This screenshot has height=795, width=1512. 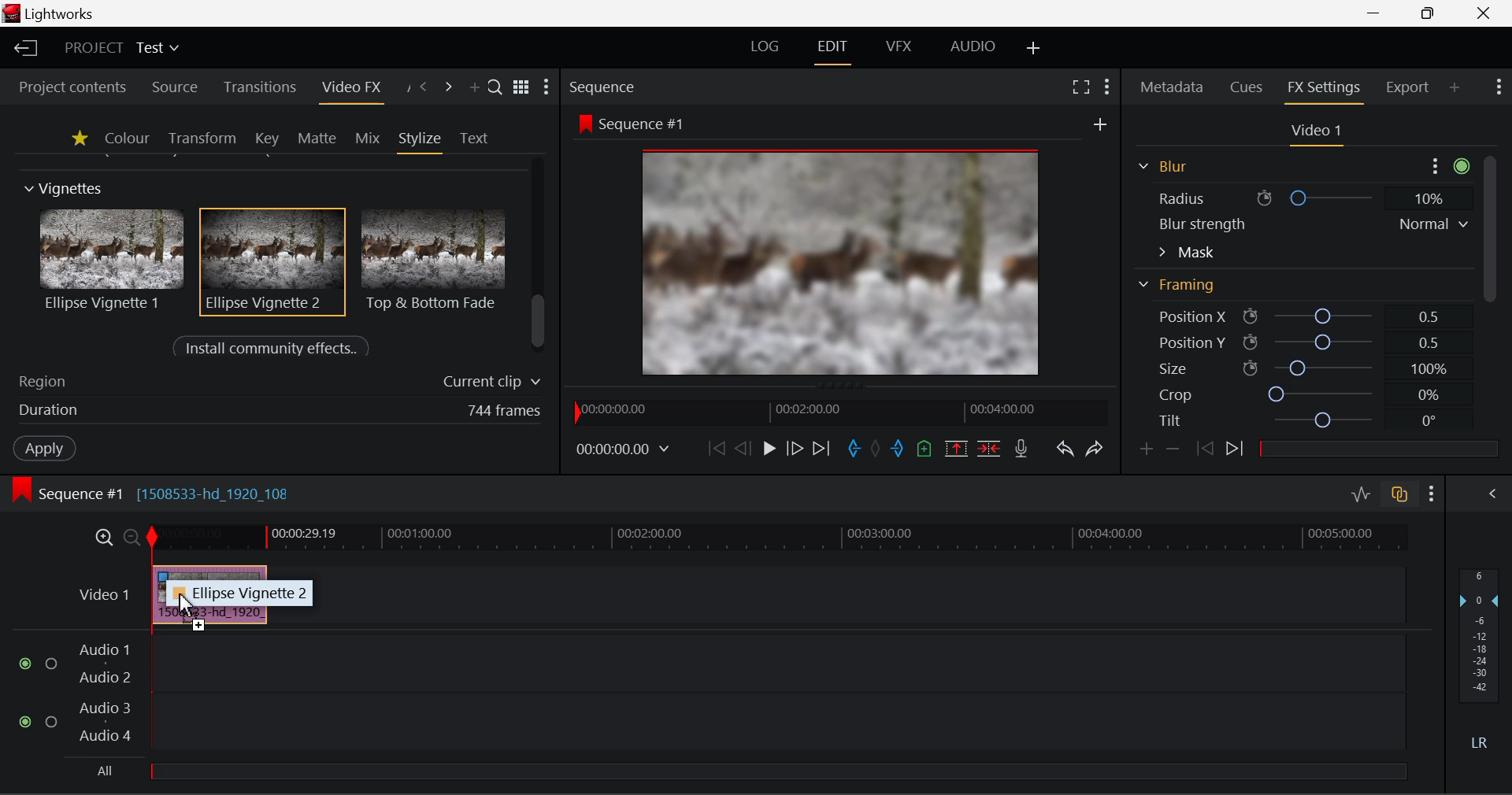 What do you see at coordinates (120, 50) in the screenshot?
I see `Project Title` at bounding box center [120, 50].